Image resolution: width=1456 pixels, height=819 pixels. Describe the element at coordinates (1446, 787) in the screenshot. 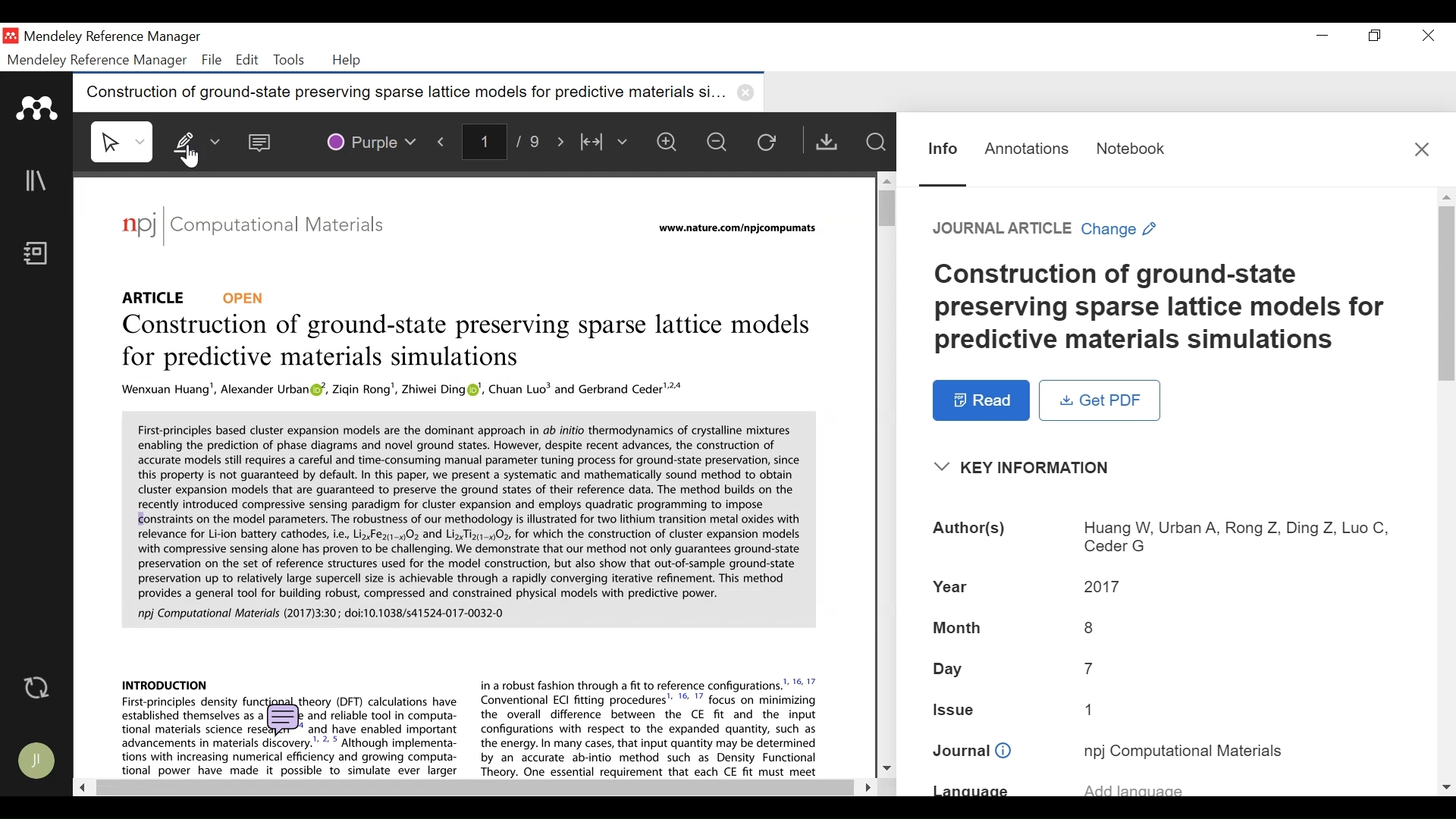

I see `scroll down` at that location.